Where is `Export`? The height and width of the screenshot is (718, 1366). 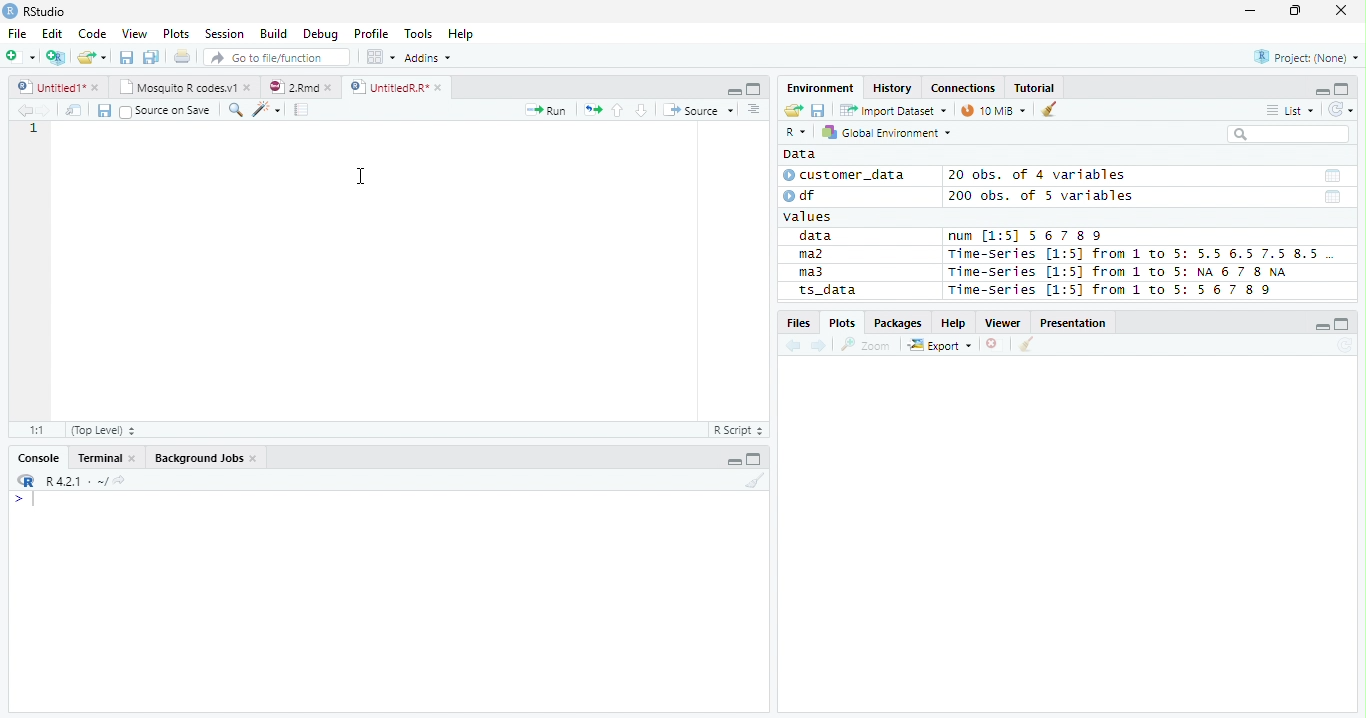 Export is located at coordinates (940, 346).